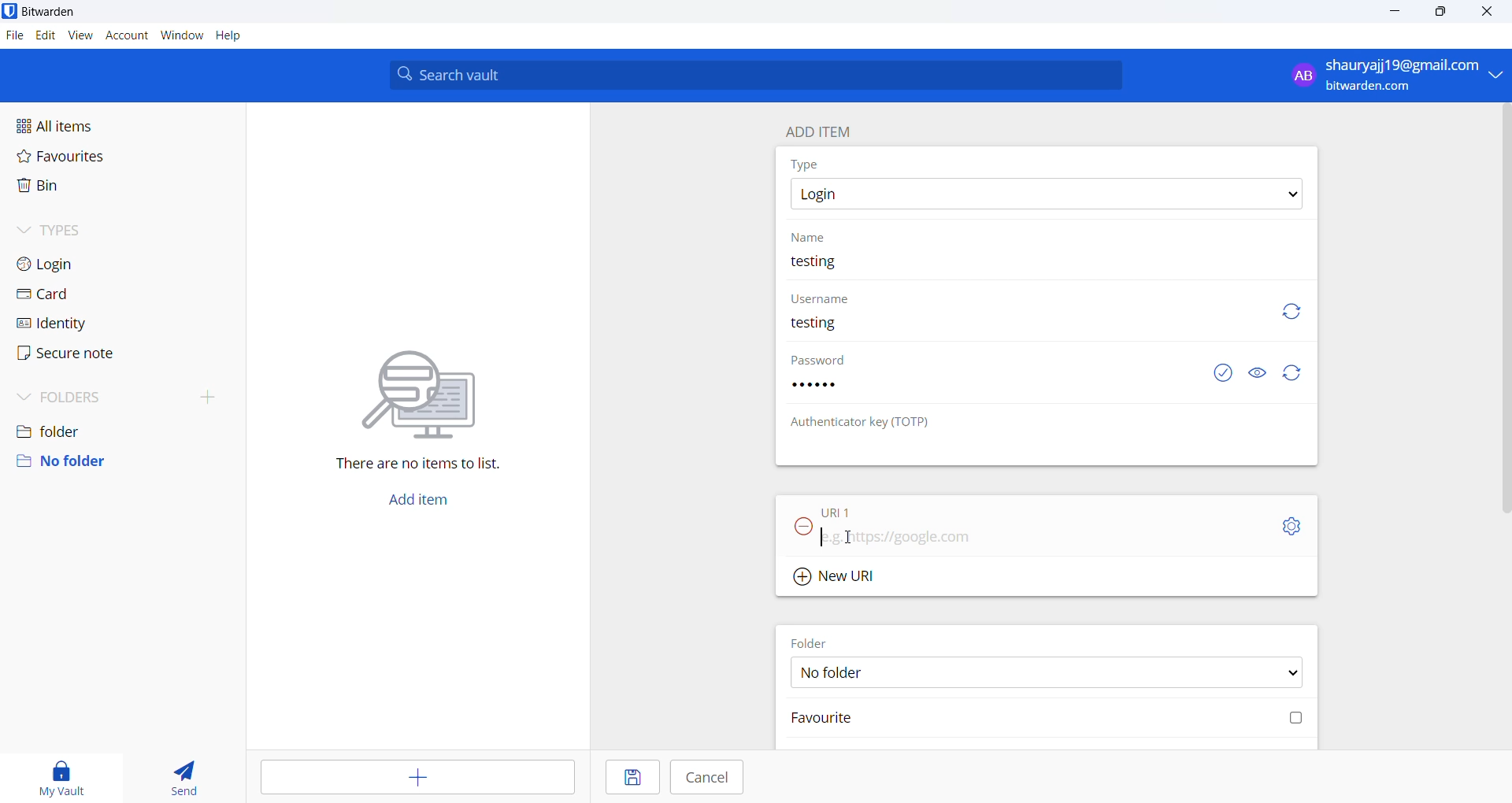 This screenshot has height=803, width=1512. I want to click on refresh, so click(1292, 373).